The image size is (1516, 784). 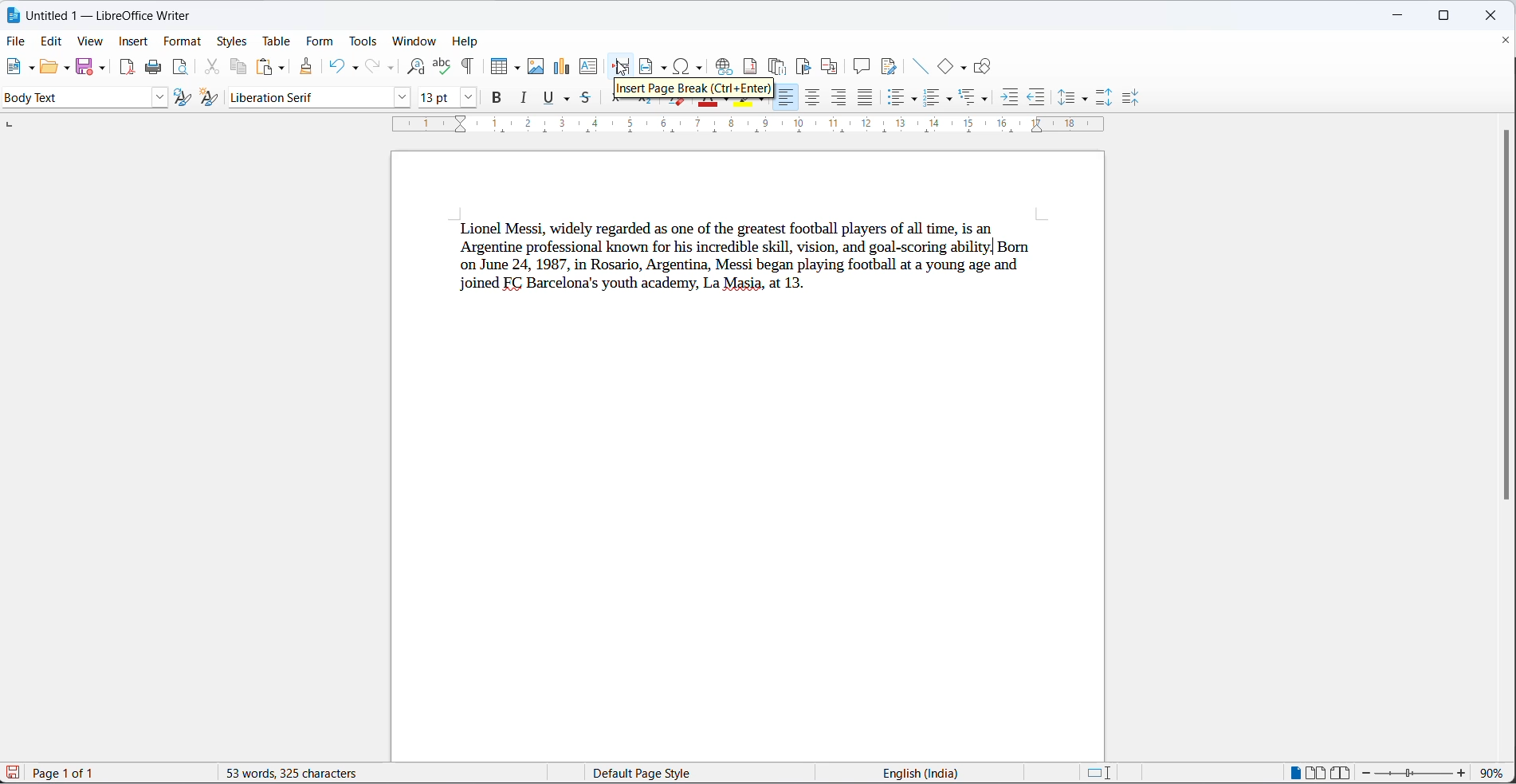 What do you see at coordinates (181, 69) in the screenshot?
I see `print preview` at bounding box center [181, 69].